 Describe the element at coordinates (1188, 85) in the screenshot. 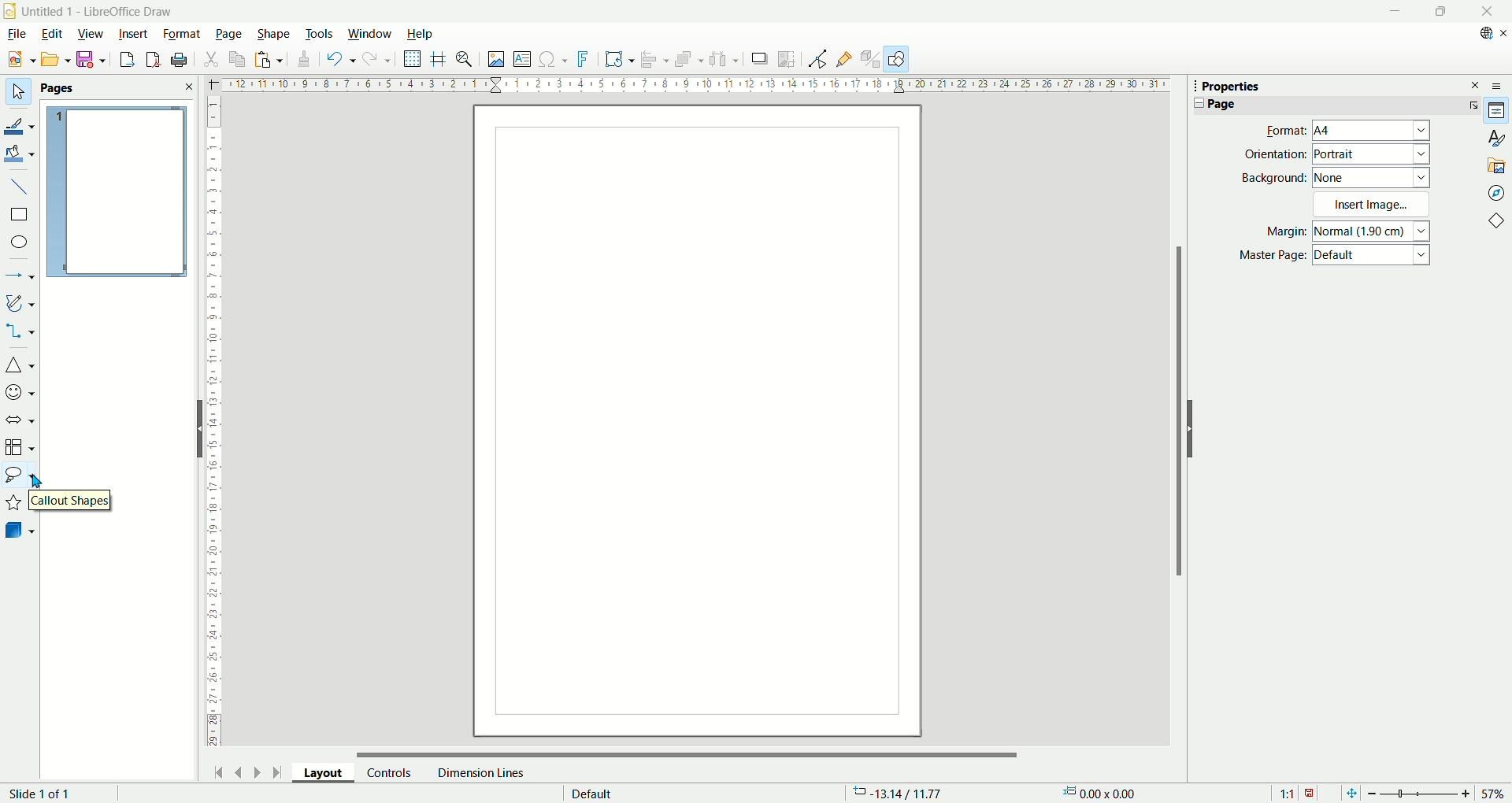

I see `Tooltip drag` at that location.